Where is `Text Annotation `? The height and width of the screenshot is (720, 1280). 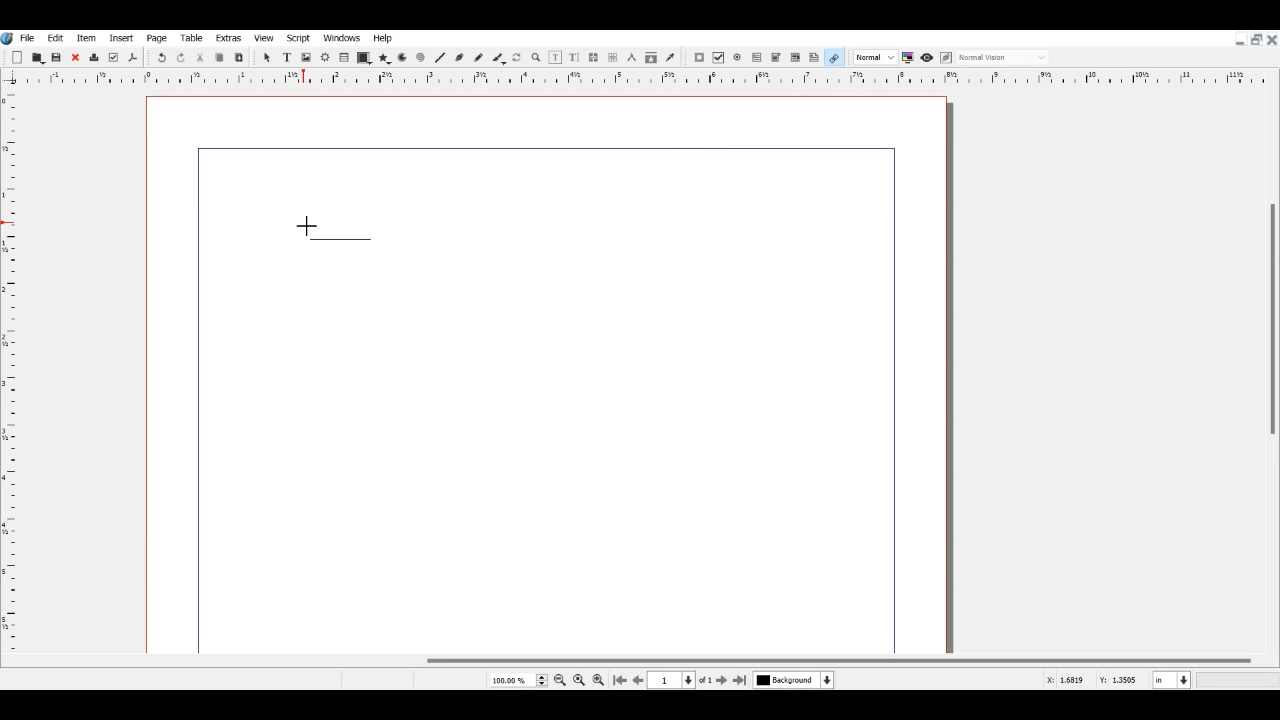 Text Annotation  is located at coordinates (815, 57).